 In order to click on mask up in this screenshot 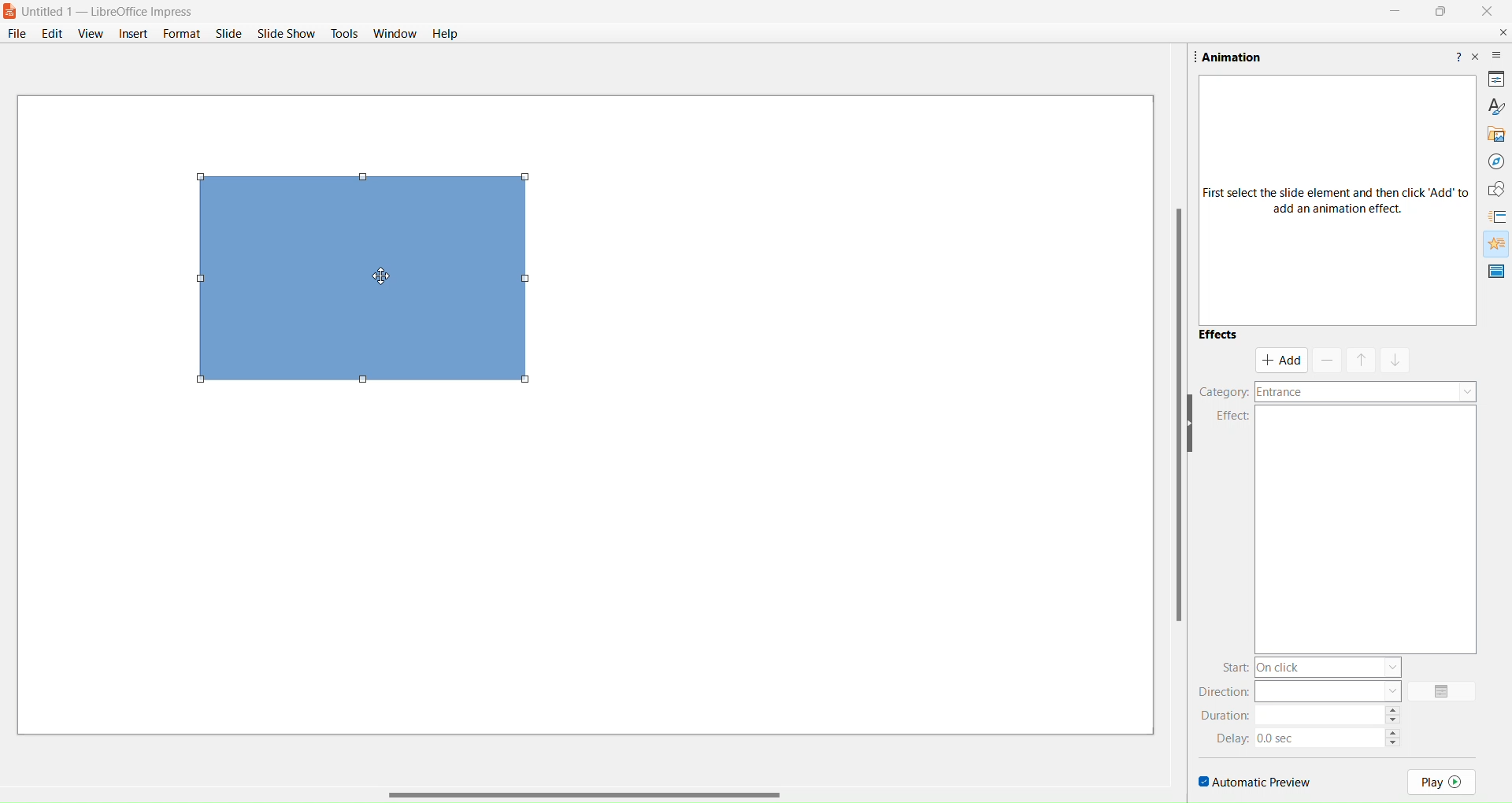, I will do `click(1360, 358)`.